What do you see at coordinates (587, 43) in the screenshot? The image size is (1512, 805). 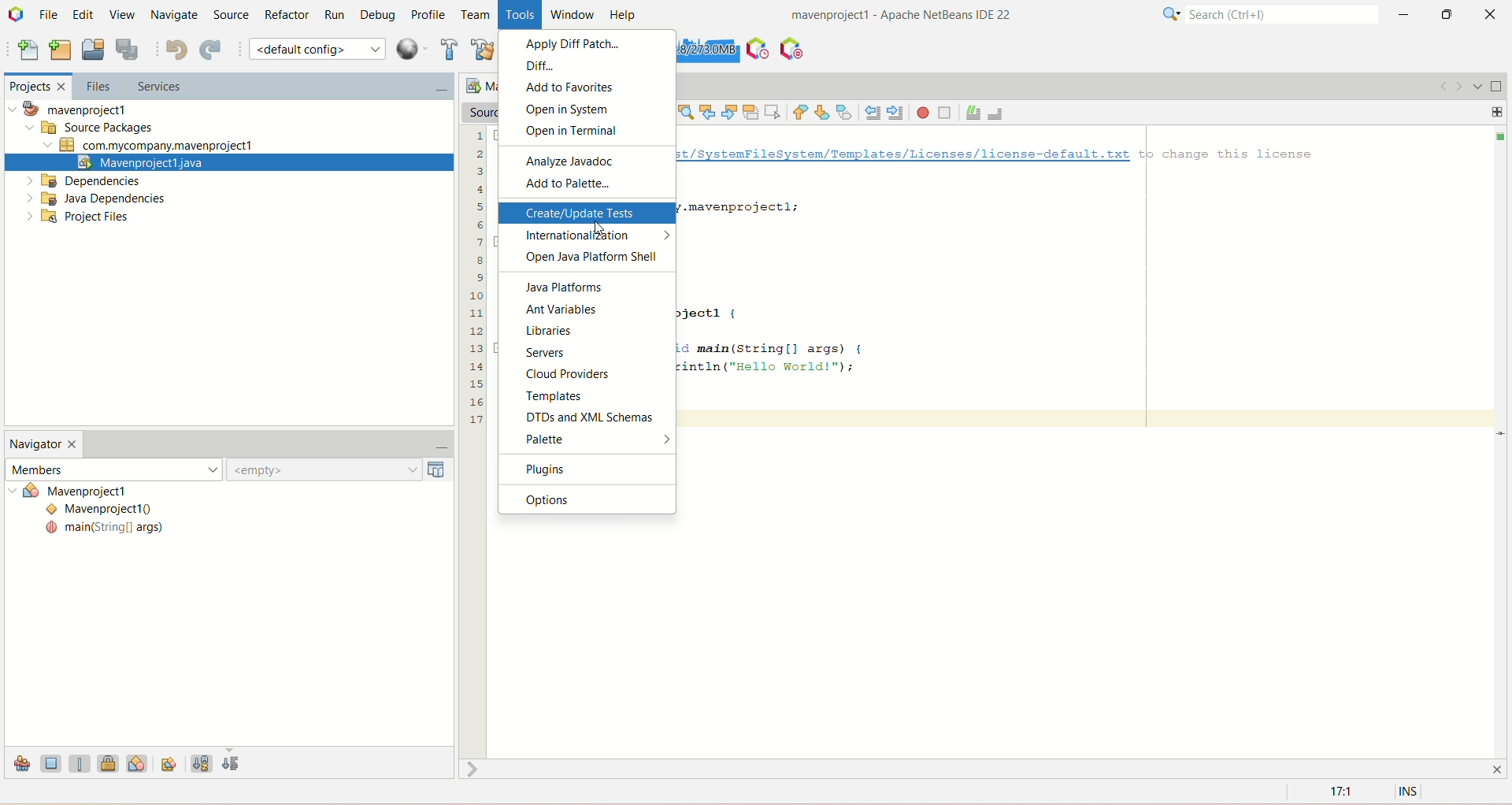 I see `apply diff patch` at bounding box center [587, 43].